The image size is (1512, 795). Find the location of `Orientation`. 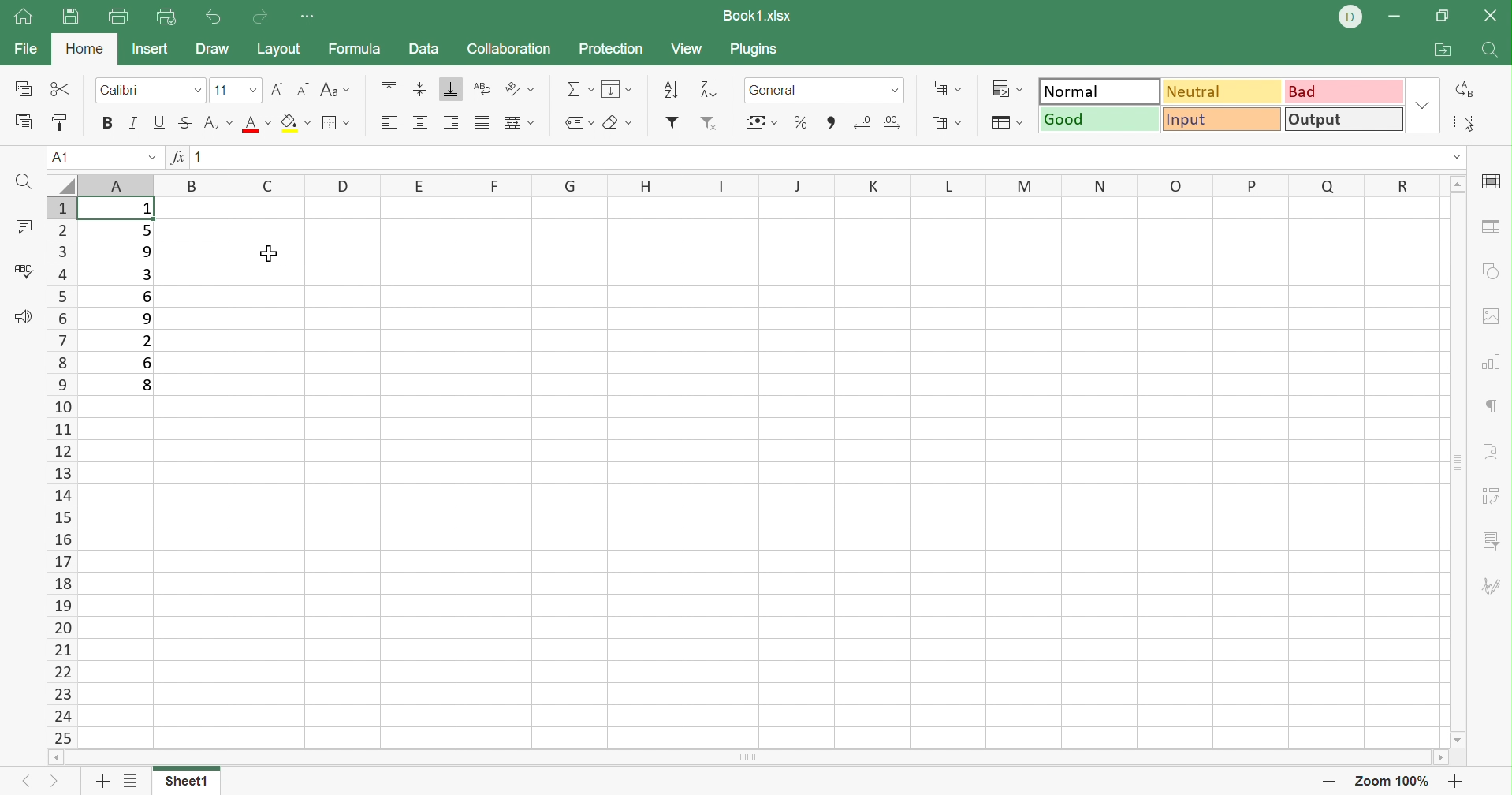

Orientation is located at coordinates (520, 89).